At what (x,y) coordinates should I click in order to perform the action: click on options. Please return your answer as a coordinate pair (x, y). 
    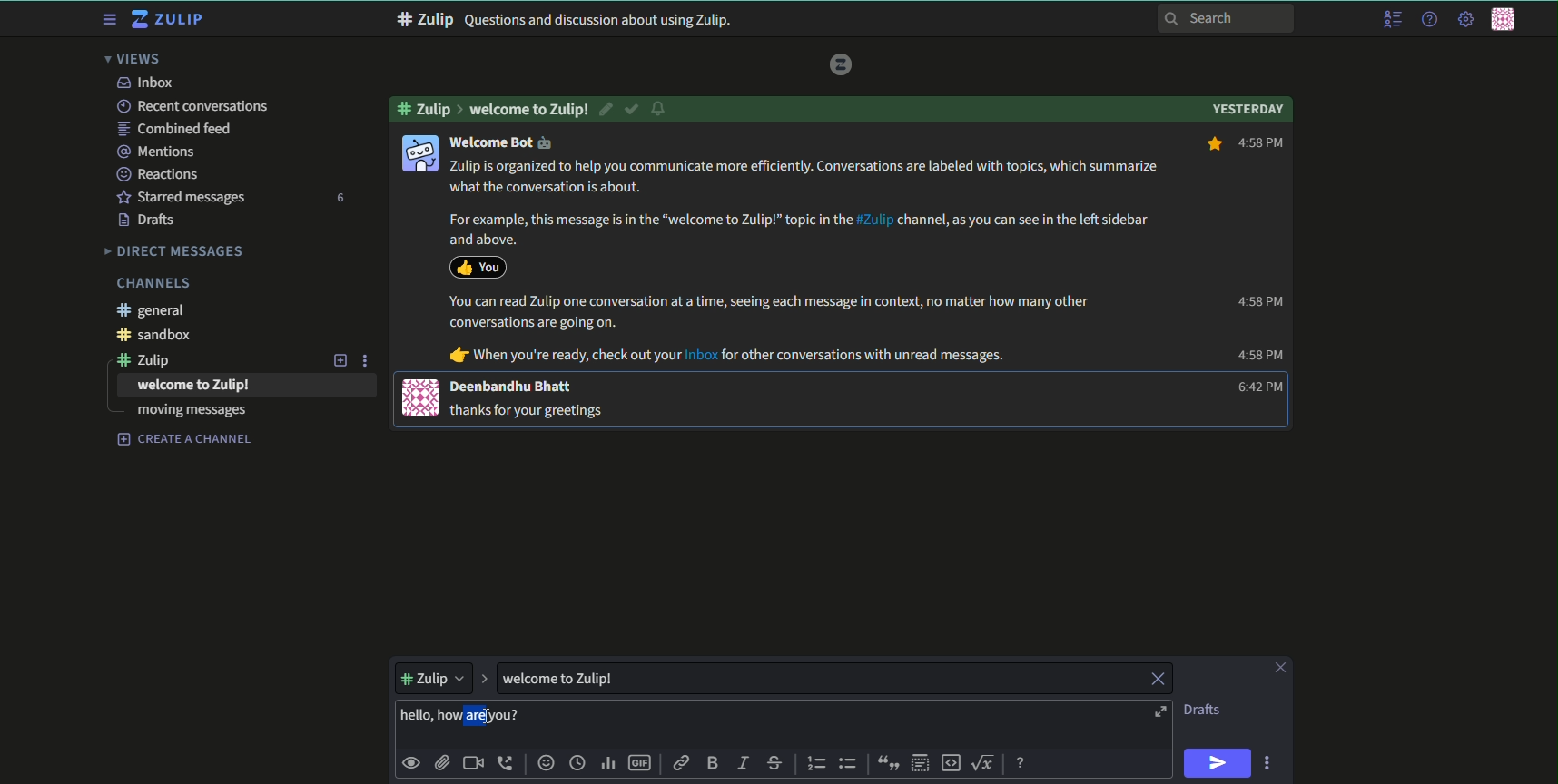
    Looking at the image, I should click on (1270, 762).